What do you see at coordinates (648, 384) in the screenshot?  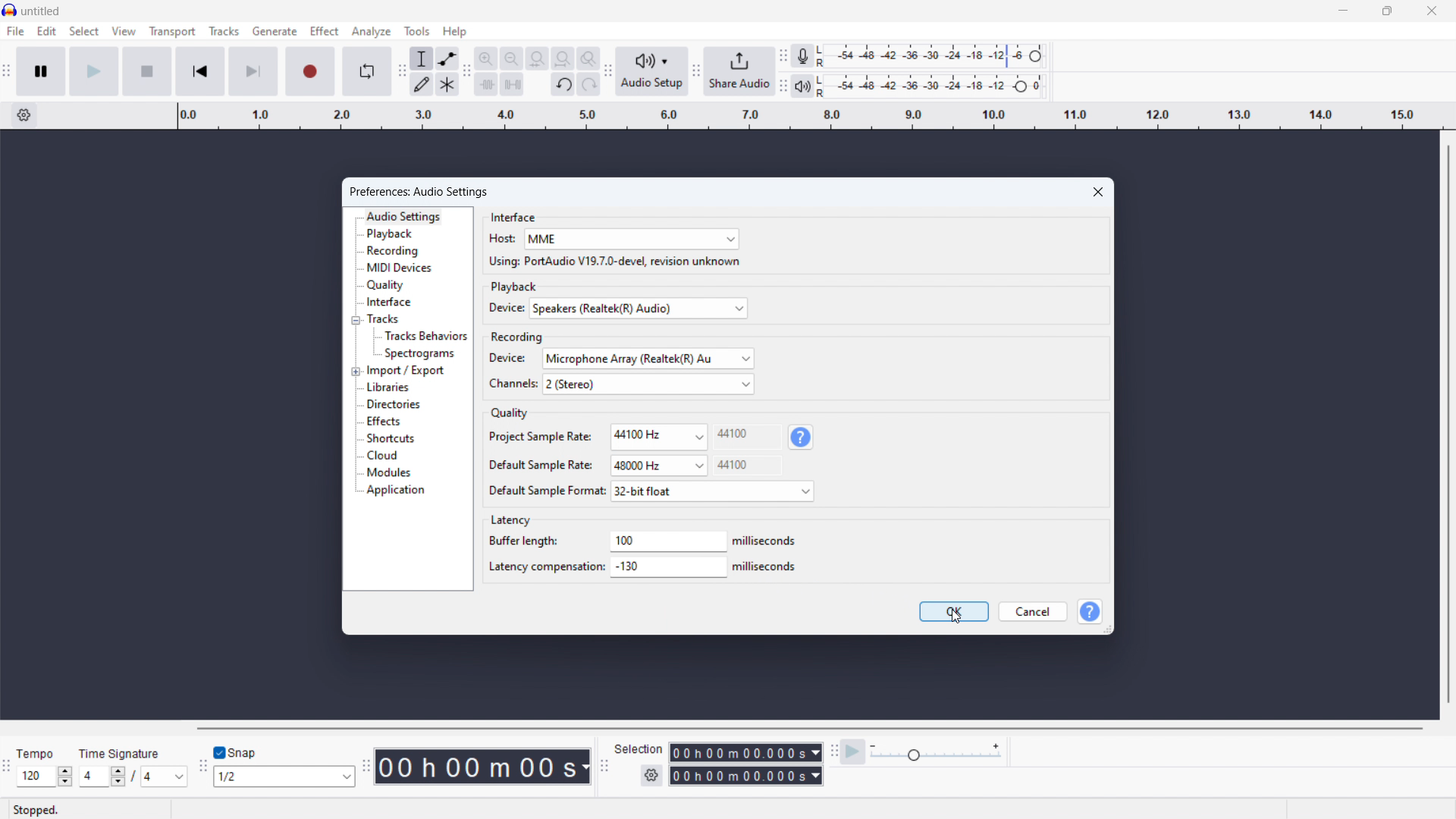 I see `channels` at bounding box center [648, 384].